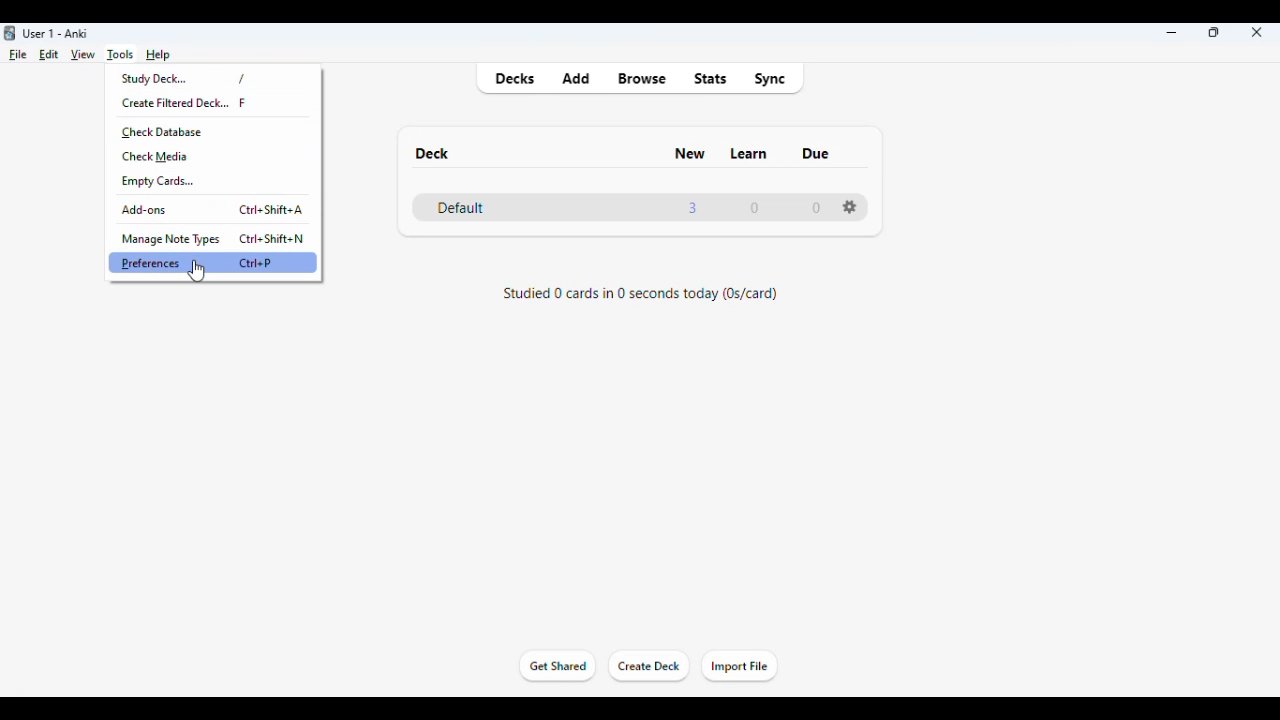  What do you see at coordinates (122, 55) in the screenshot?
I see `tools` at bounding box center [122, 55].